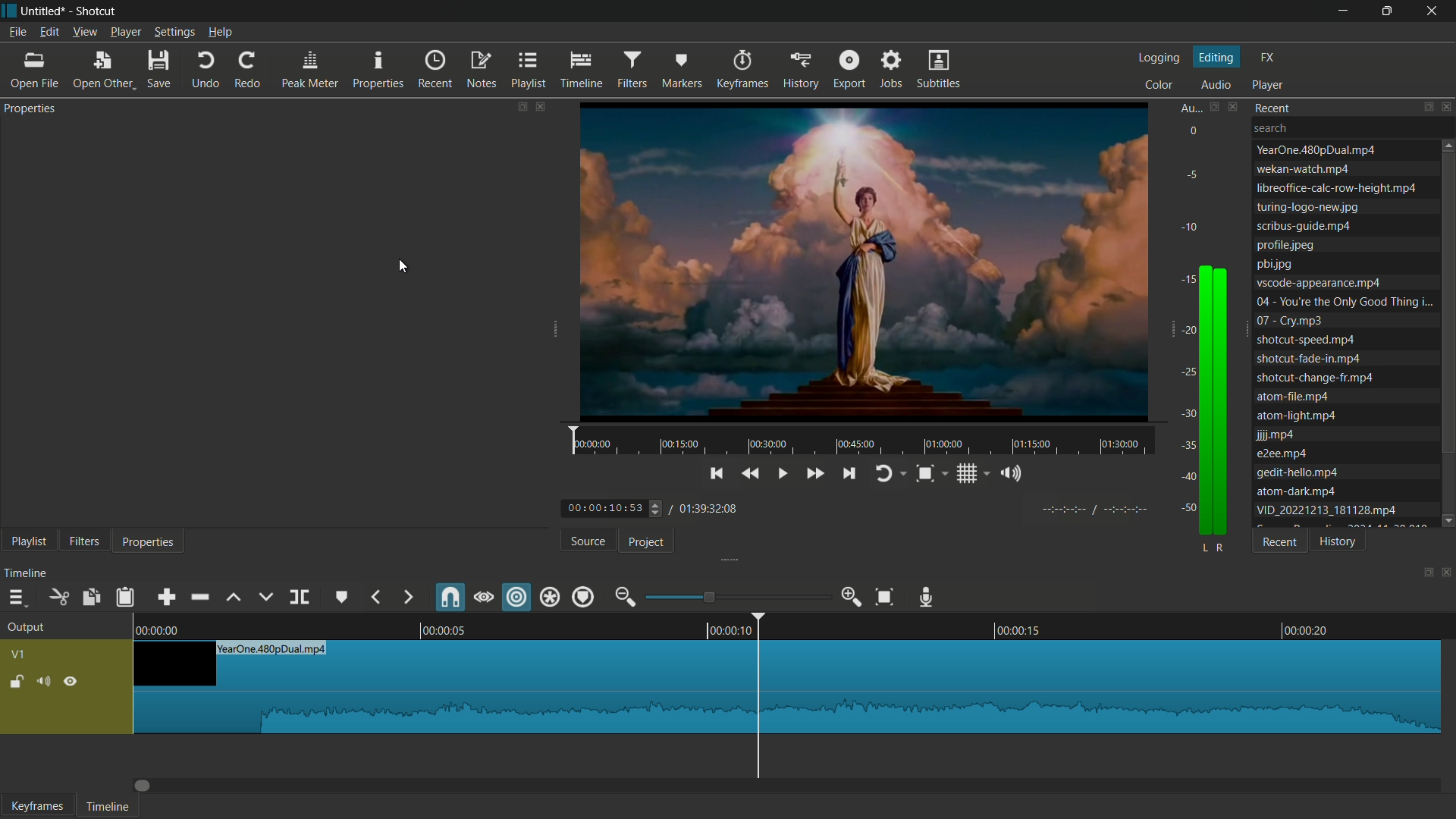 This screenshot has height=819, width=1456. Describe the element at coordinates (406, 598) in the screenshot. I see `next marker` at that location.